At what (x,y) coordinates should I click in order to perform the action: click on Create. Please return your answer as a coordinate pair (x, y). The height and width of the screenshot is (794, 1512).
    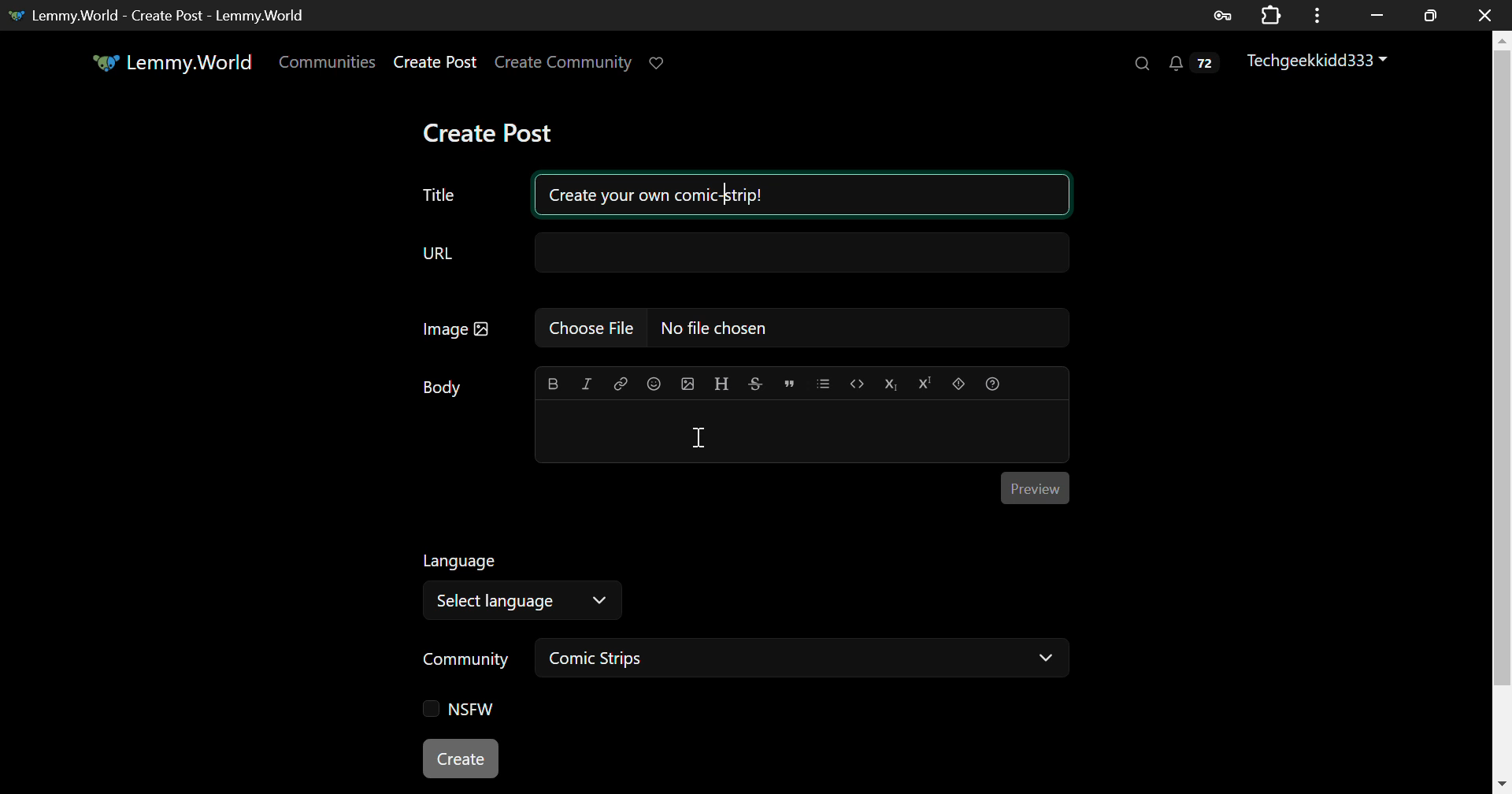
    Looking at the image, I should click on (462, 760).